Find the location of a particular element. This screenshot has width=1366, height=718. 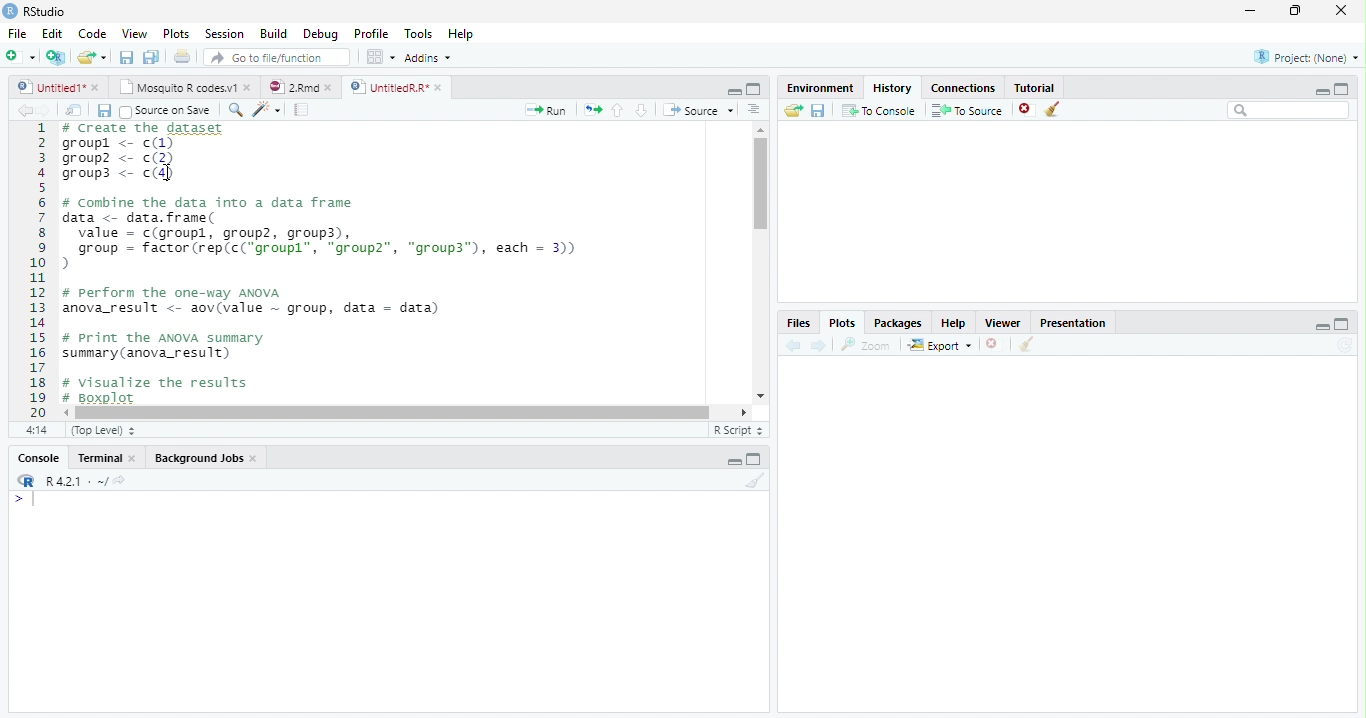

Clear Console is located at coordinates (1024, 345).